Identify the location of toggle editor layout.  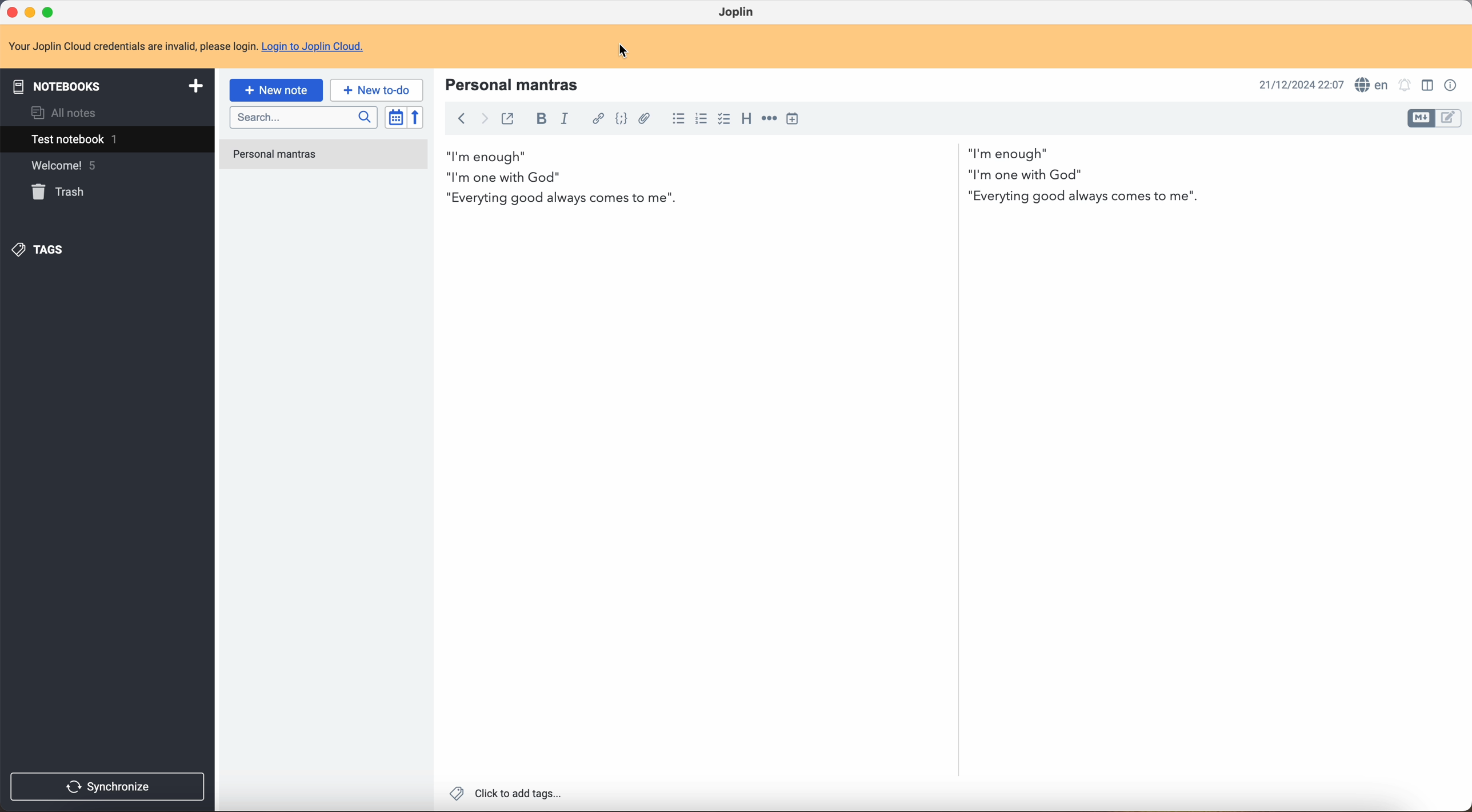
(1421, 119).